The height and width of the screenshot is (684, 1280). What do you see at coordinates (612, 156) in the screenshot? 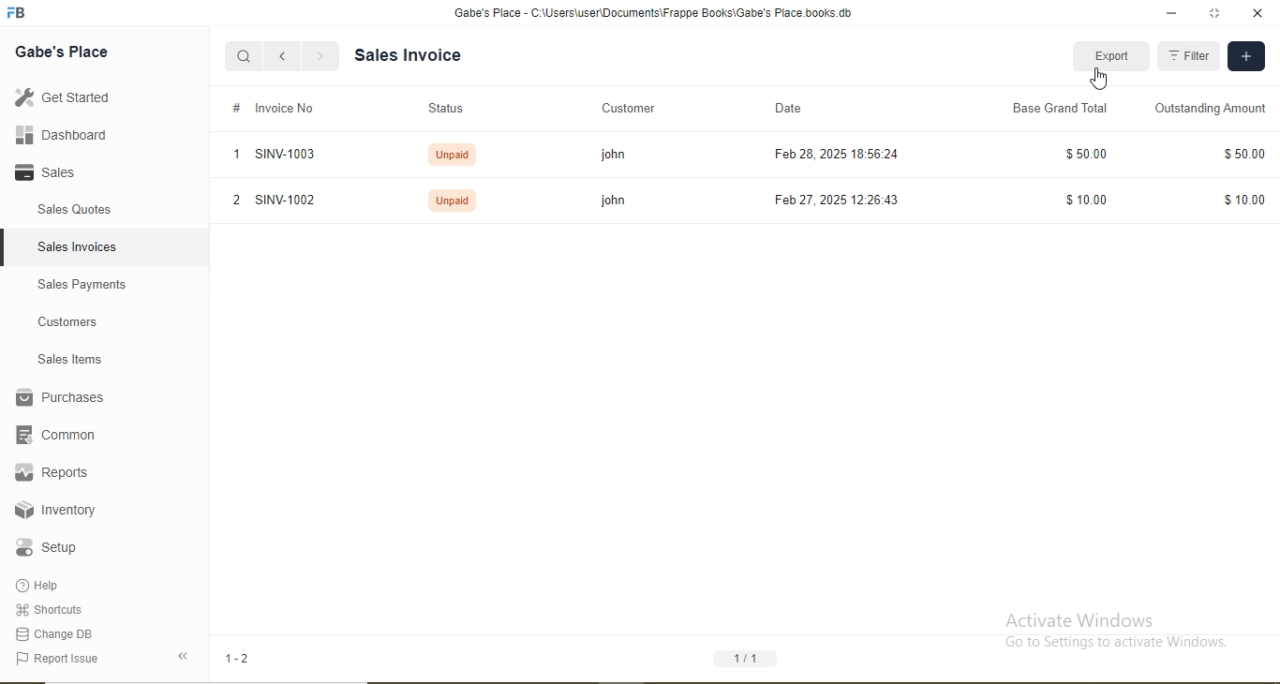
I see `john` at bounding box center [612, 156].